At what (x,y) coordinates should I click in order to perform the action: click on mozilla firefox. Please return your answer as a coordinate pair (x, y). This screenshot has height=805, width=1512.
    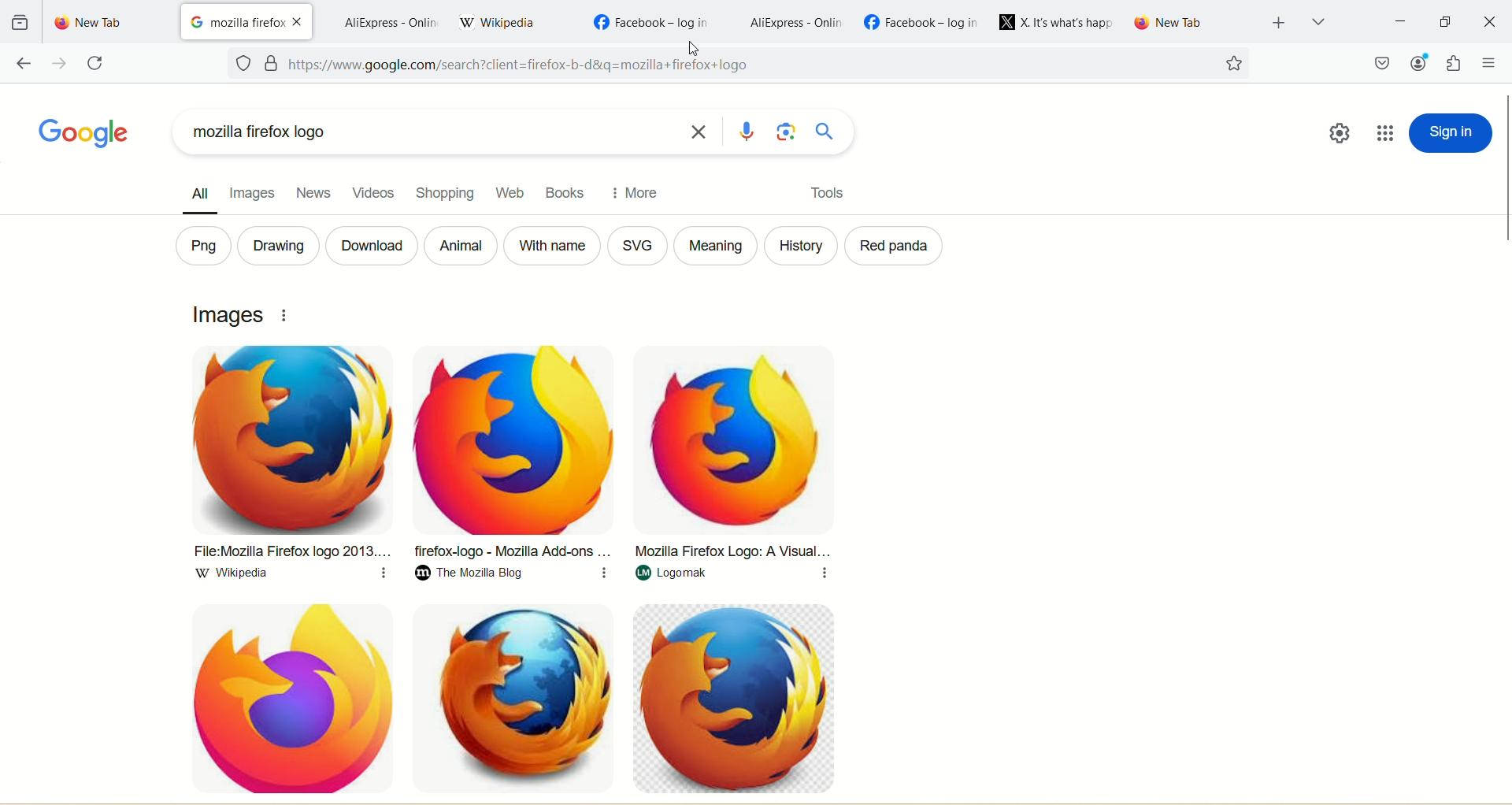
    Looking at the image, I should click on (234, 22).